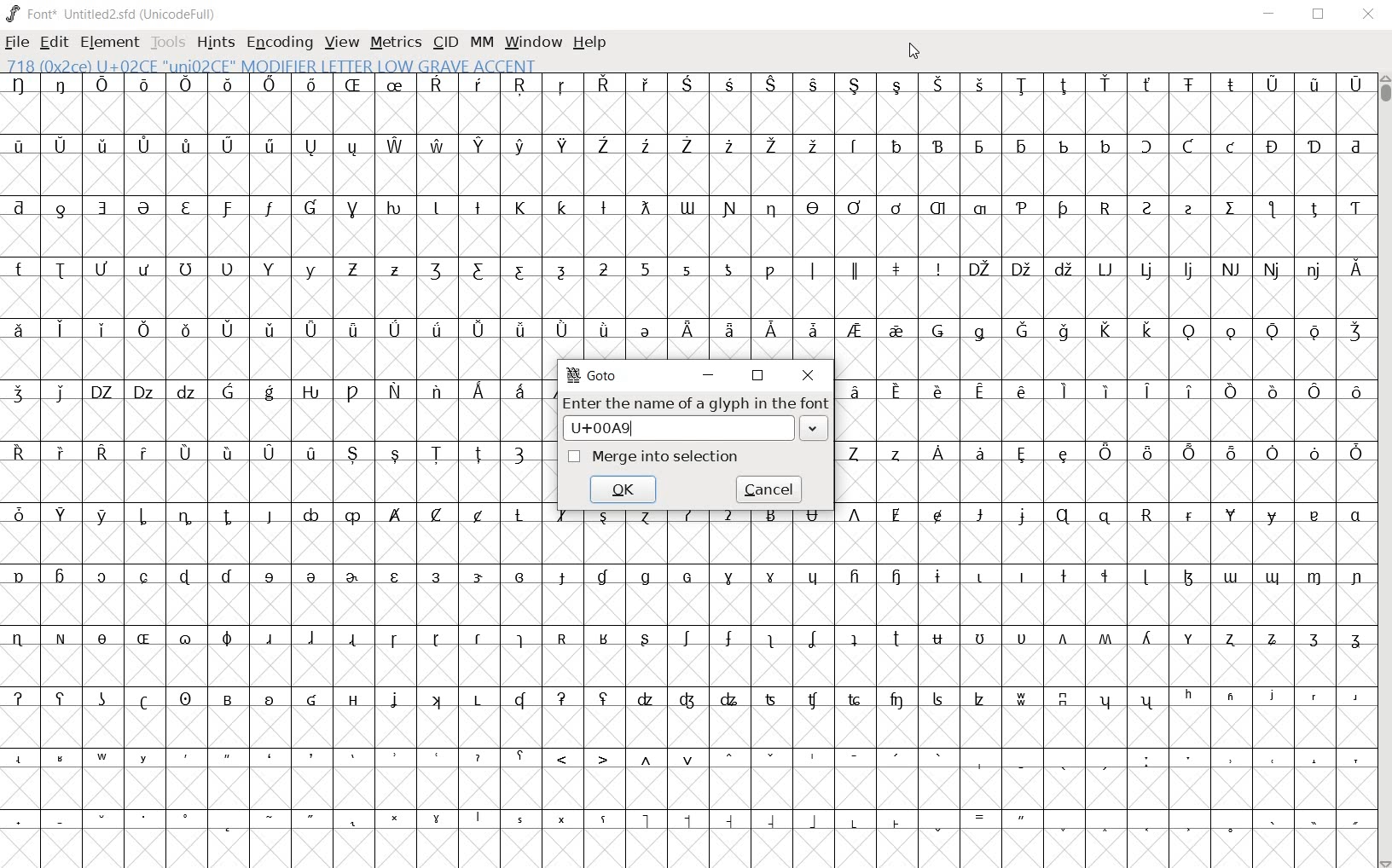 The width and height of the screenshot is (1392, 868). What do you see at coordinates (599, 376) in the screenshot?
I see `GoTo` at bounding box center [599, 376].